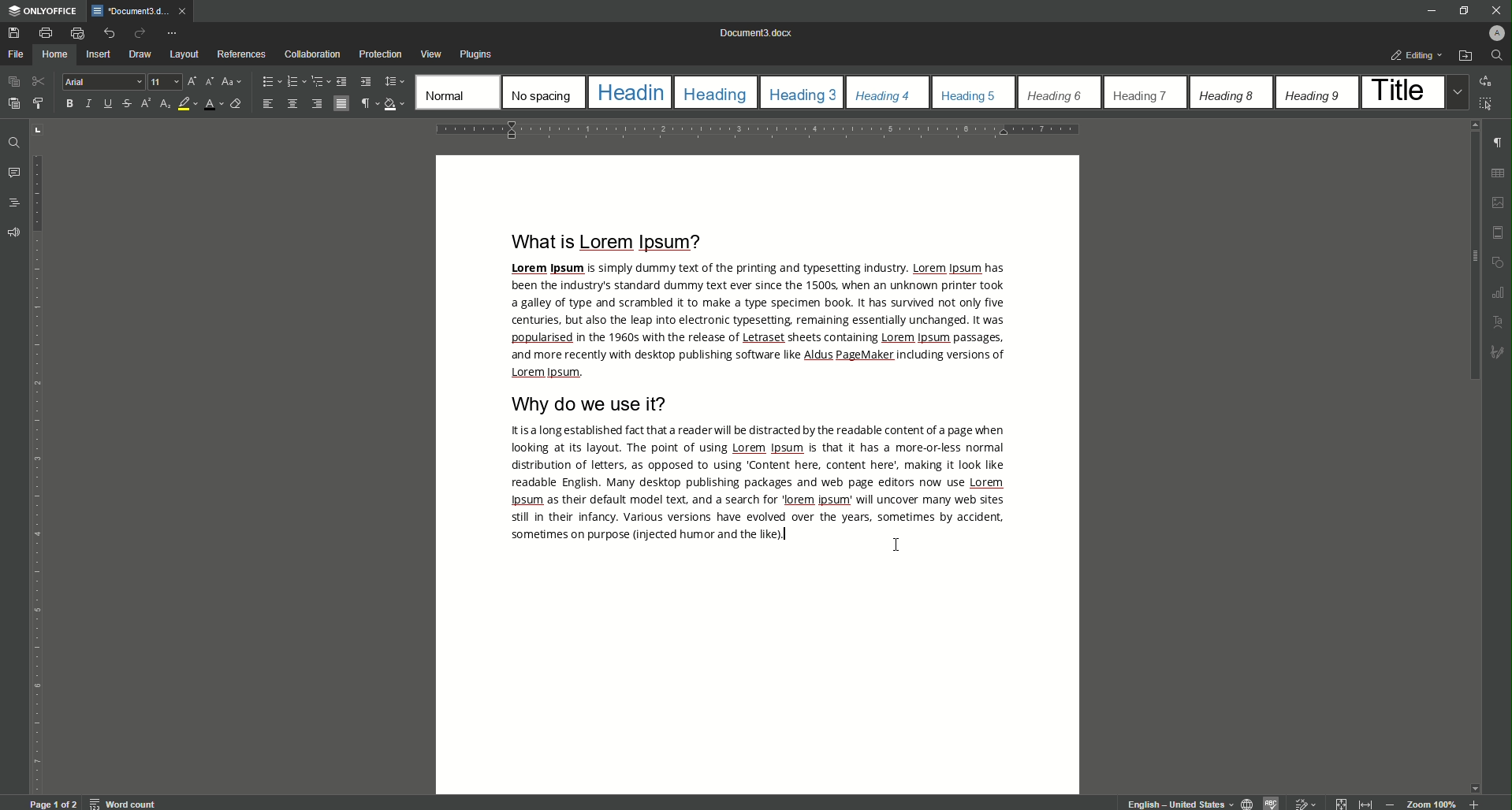 The image size is (1512, 810). What do you see at coordinates (1364, 804) in the screenshot?
I see `expand` at bounding box center [1364, 804].